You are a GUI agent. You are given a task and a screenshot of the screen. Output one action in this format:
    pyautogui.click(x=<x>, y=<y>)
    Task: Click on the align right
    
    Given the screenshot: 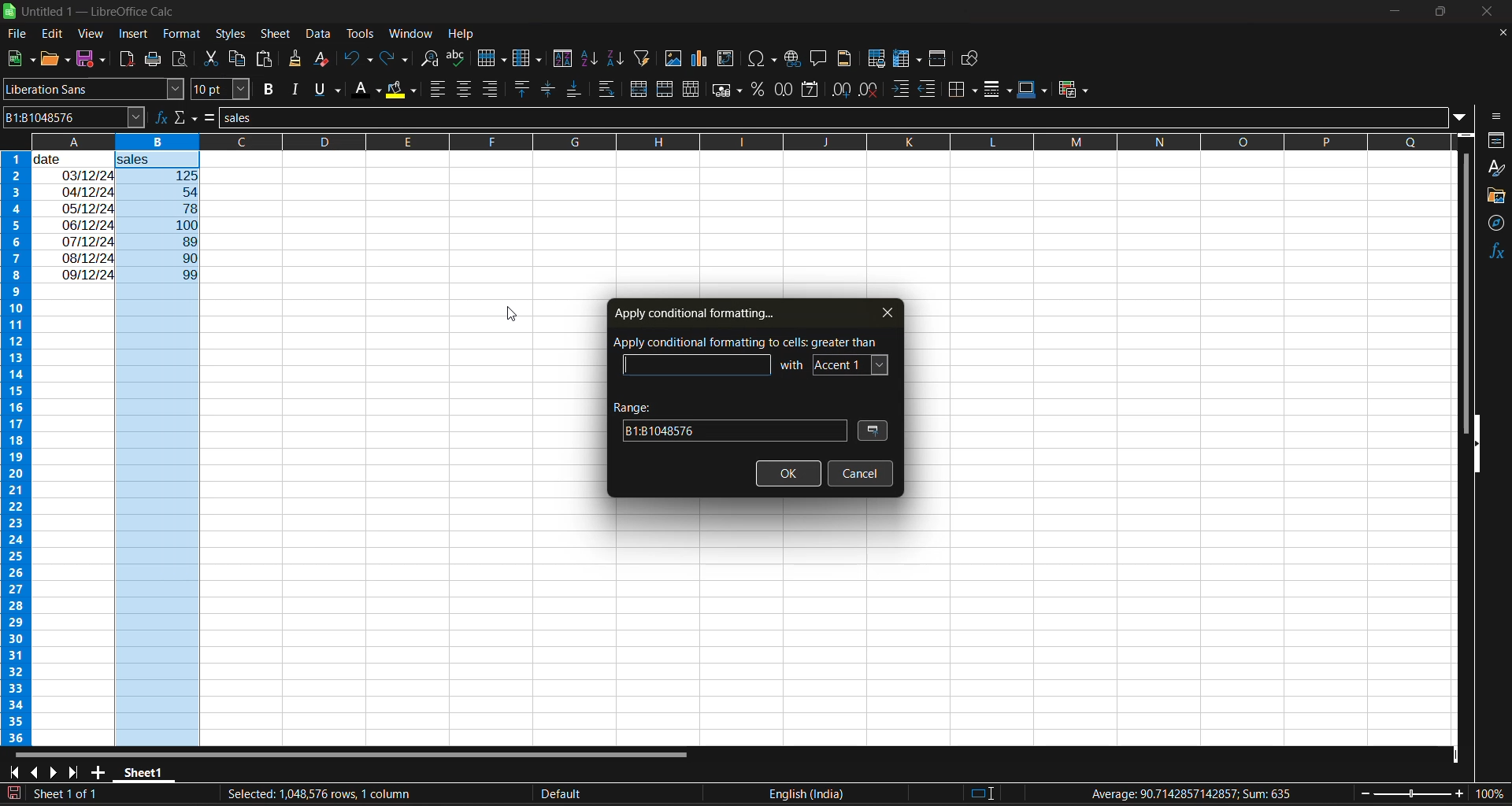 What is the action you would take?
    pyautogui.click(x=491, y=88)
    